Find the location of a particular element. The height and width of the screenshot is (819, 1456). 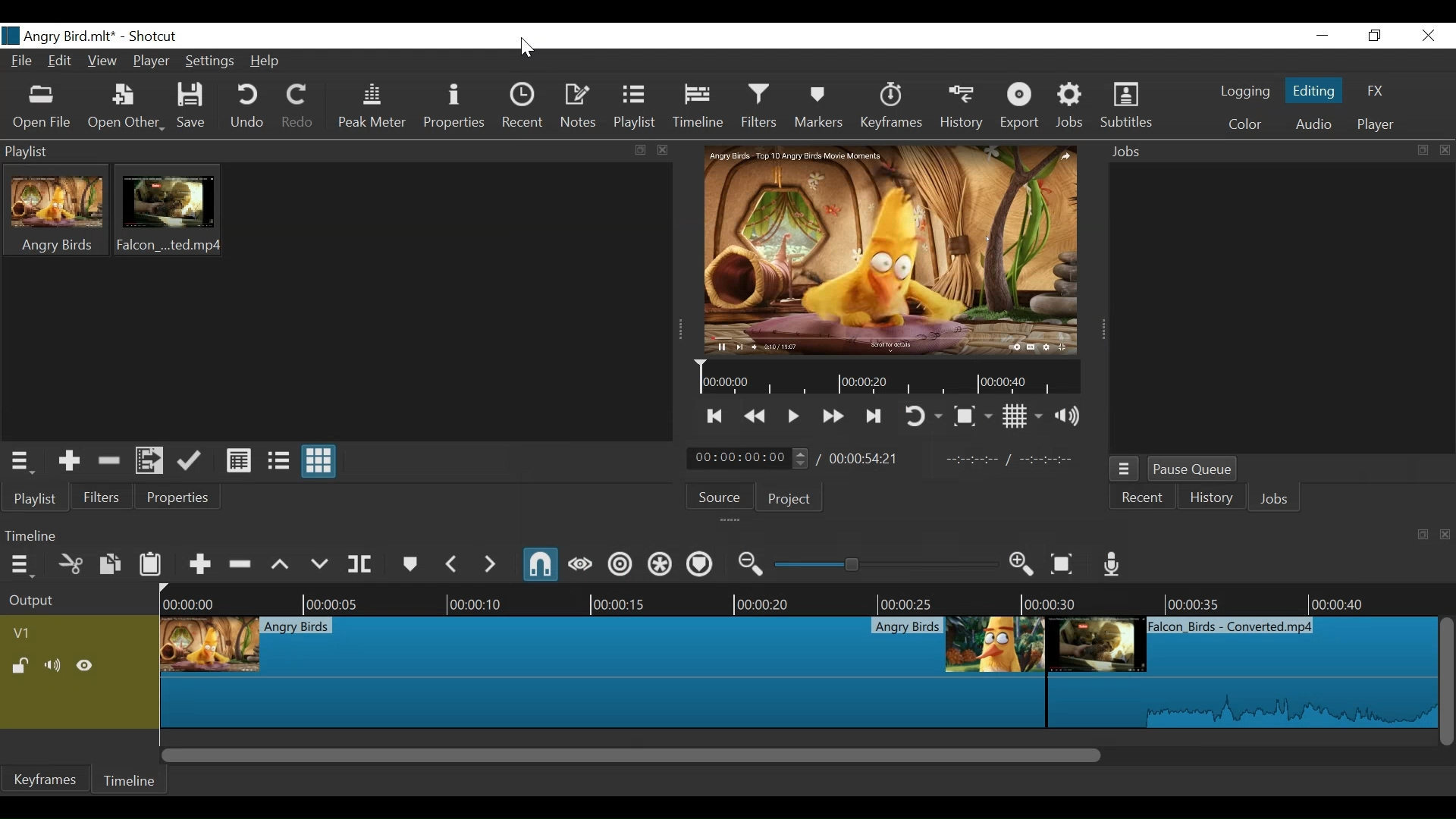

Markers is located at coordinates (817, 107).